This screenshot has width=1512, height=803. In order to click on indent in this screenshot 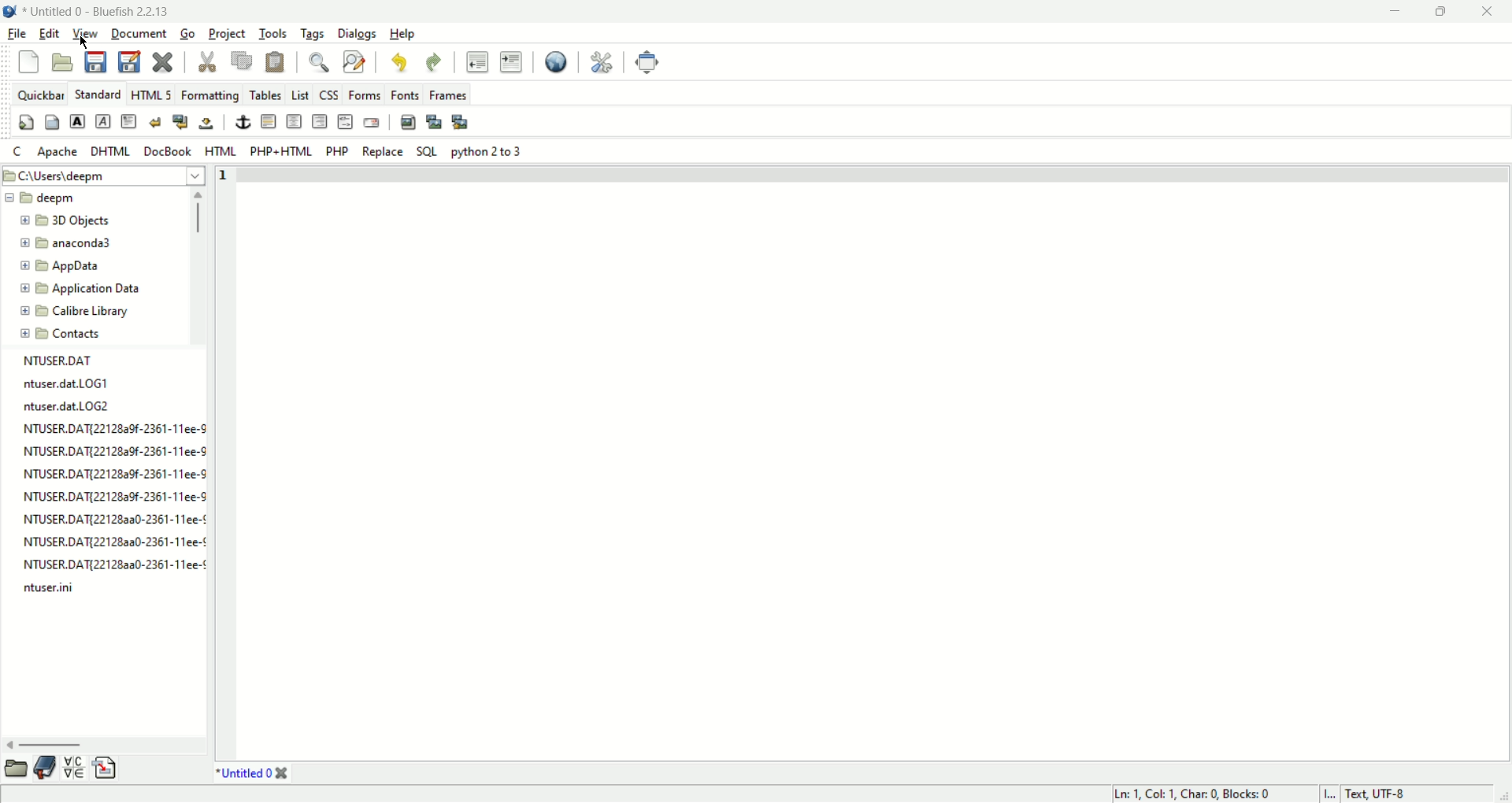, I will do `click(512, 62)`.